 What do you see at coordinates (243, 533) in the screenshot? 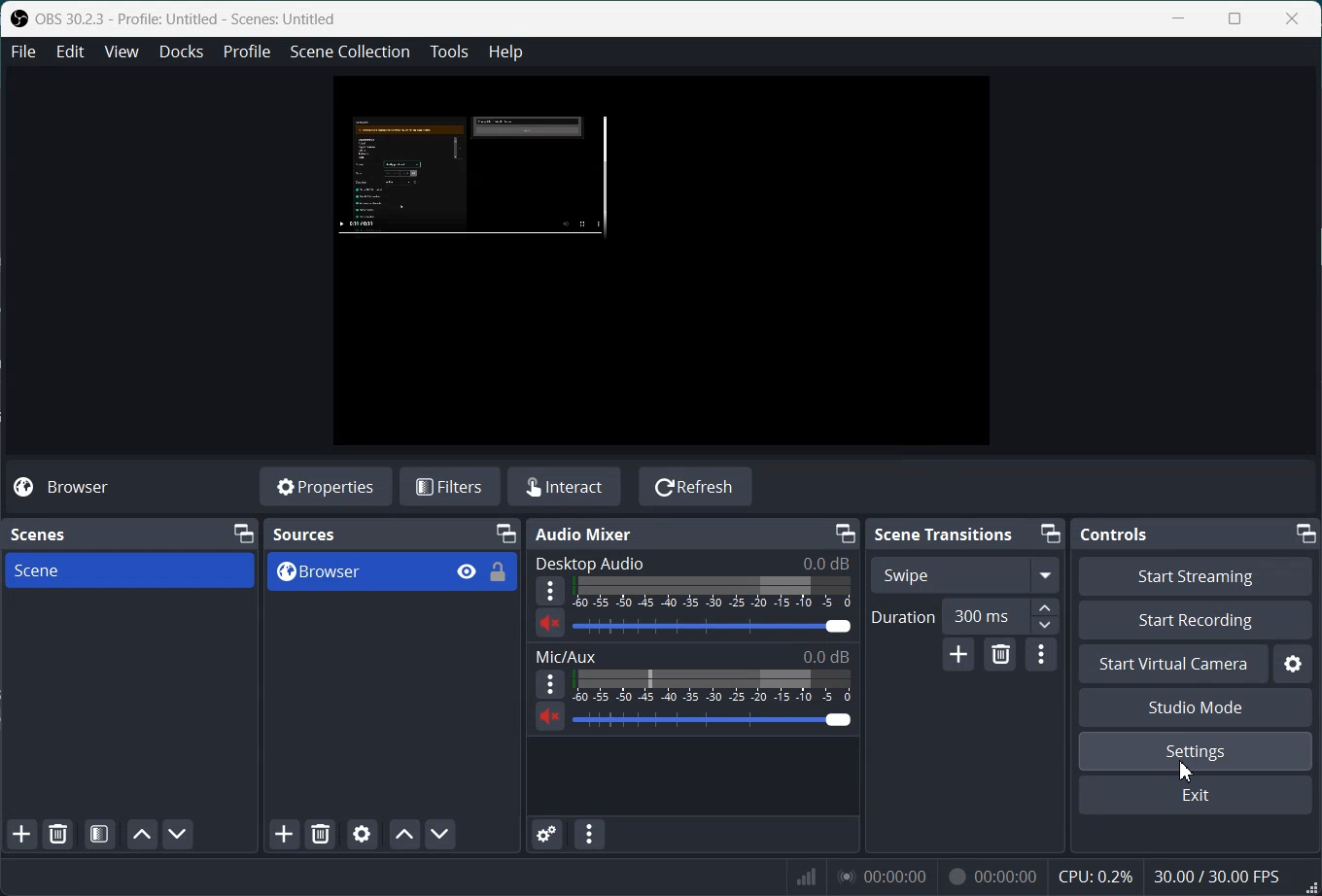
I see `Minimize` at bounding box center [243, 533].